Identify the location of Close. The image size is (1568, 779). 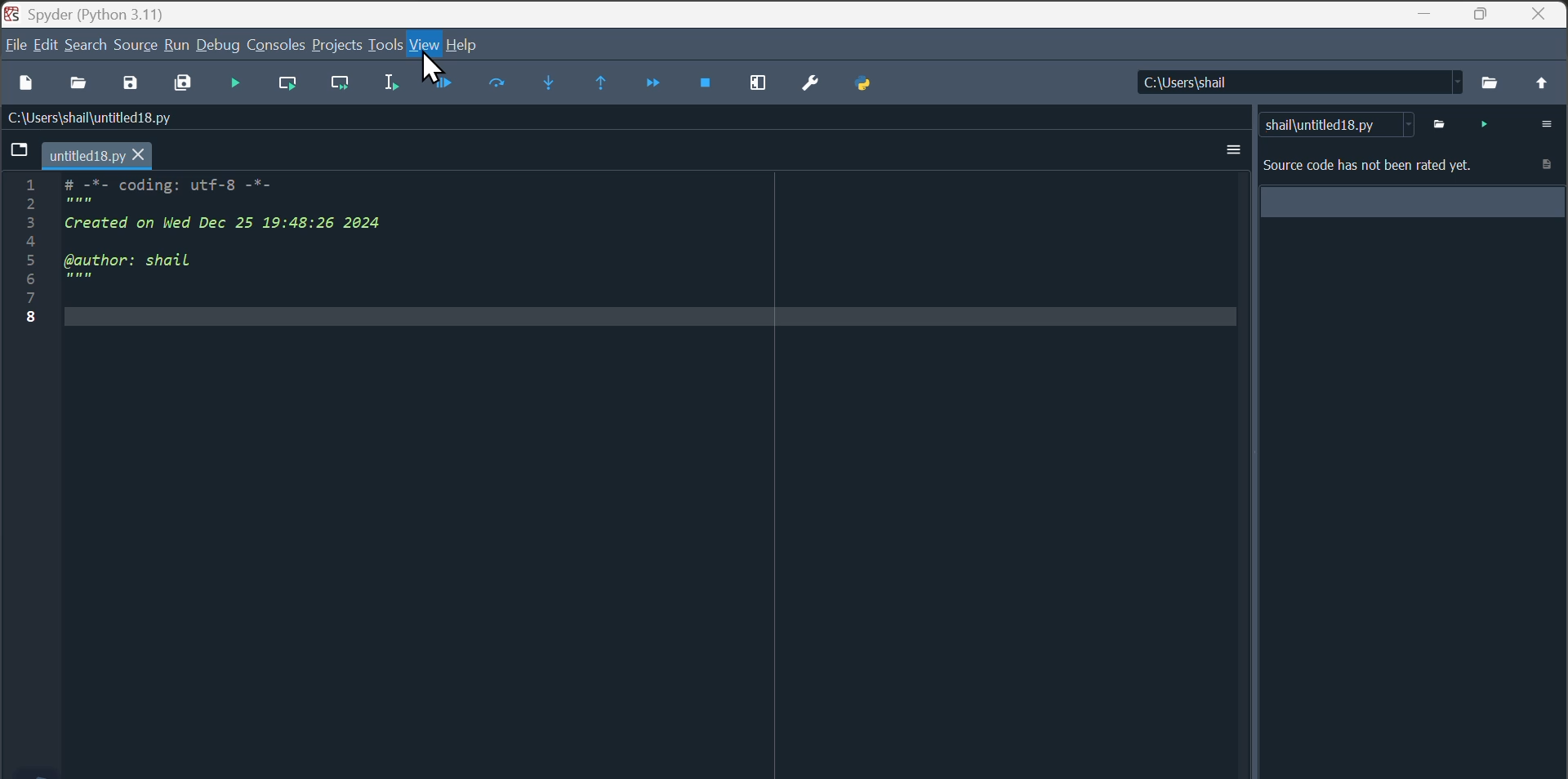
(1543, 14).